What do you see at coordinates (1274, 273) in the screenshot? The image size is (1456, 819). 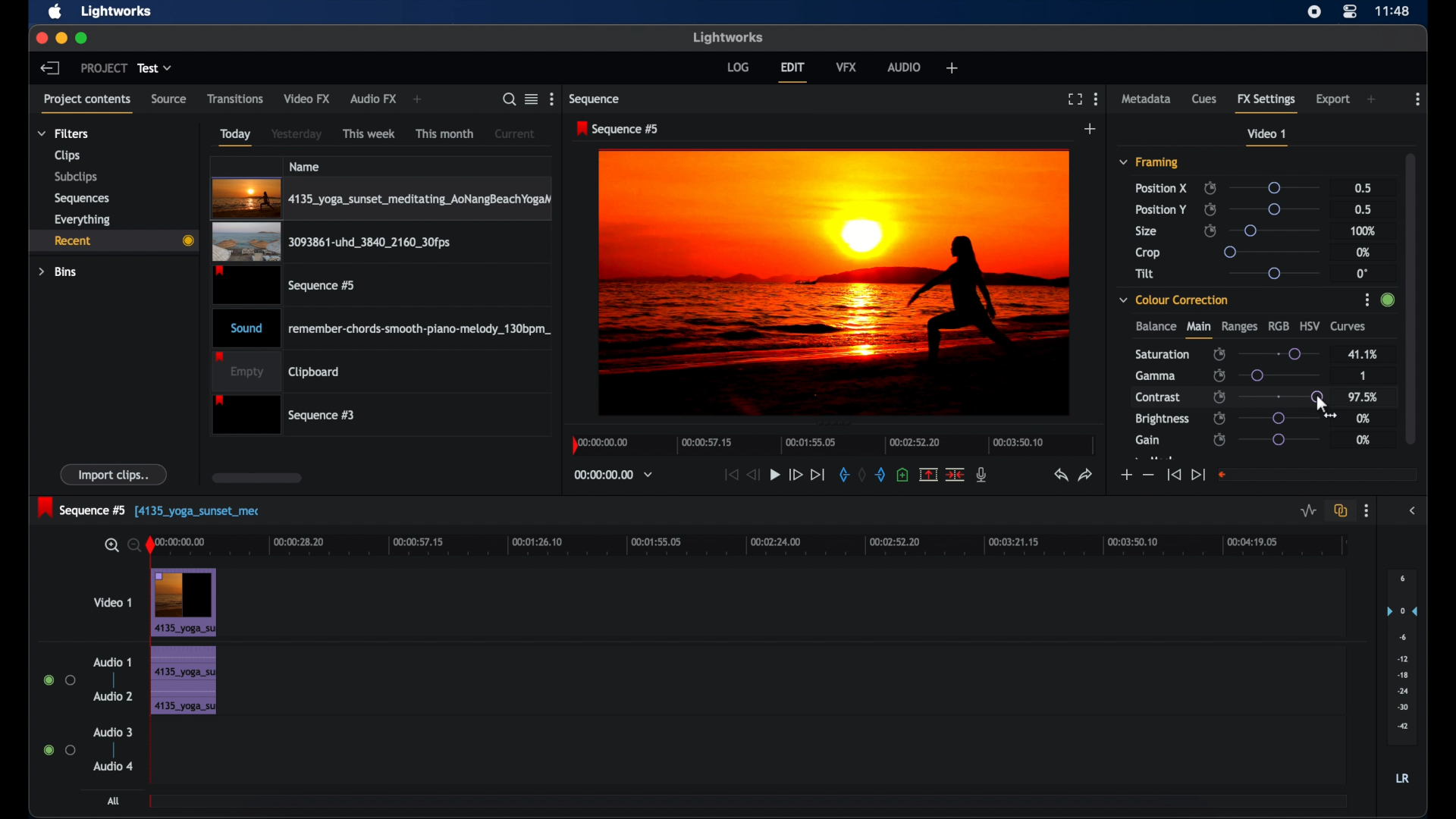 I see `slider` at bounding box center [1274, 273].